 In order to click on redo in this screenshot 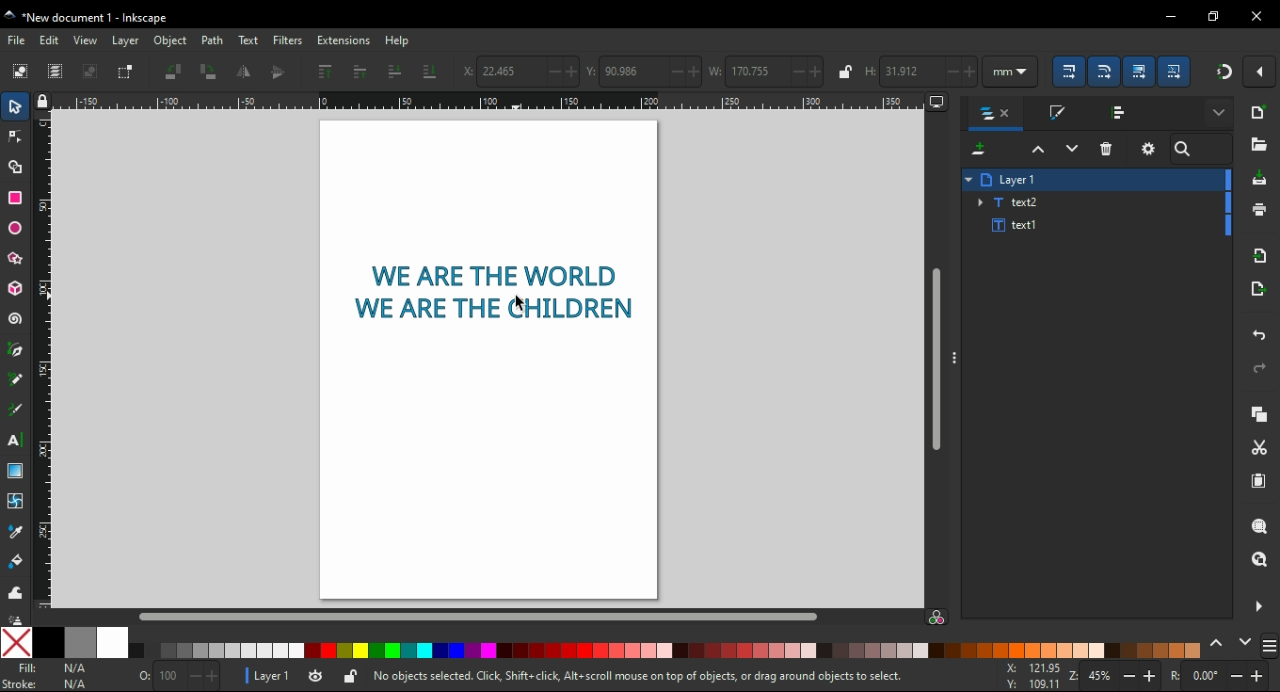, I will do `click(1260, 369)`.